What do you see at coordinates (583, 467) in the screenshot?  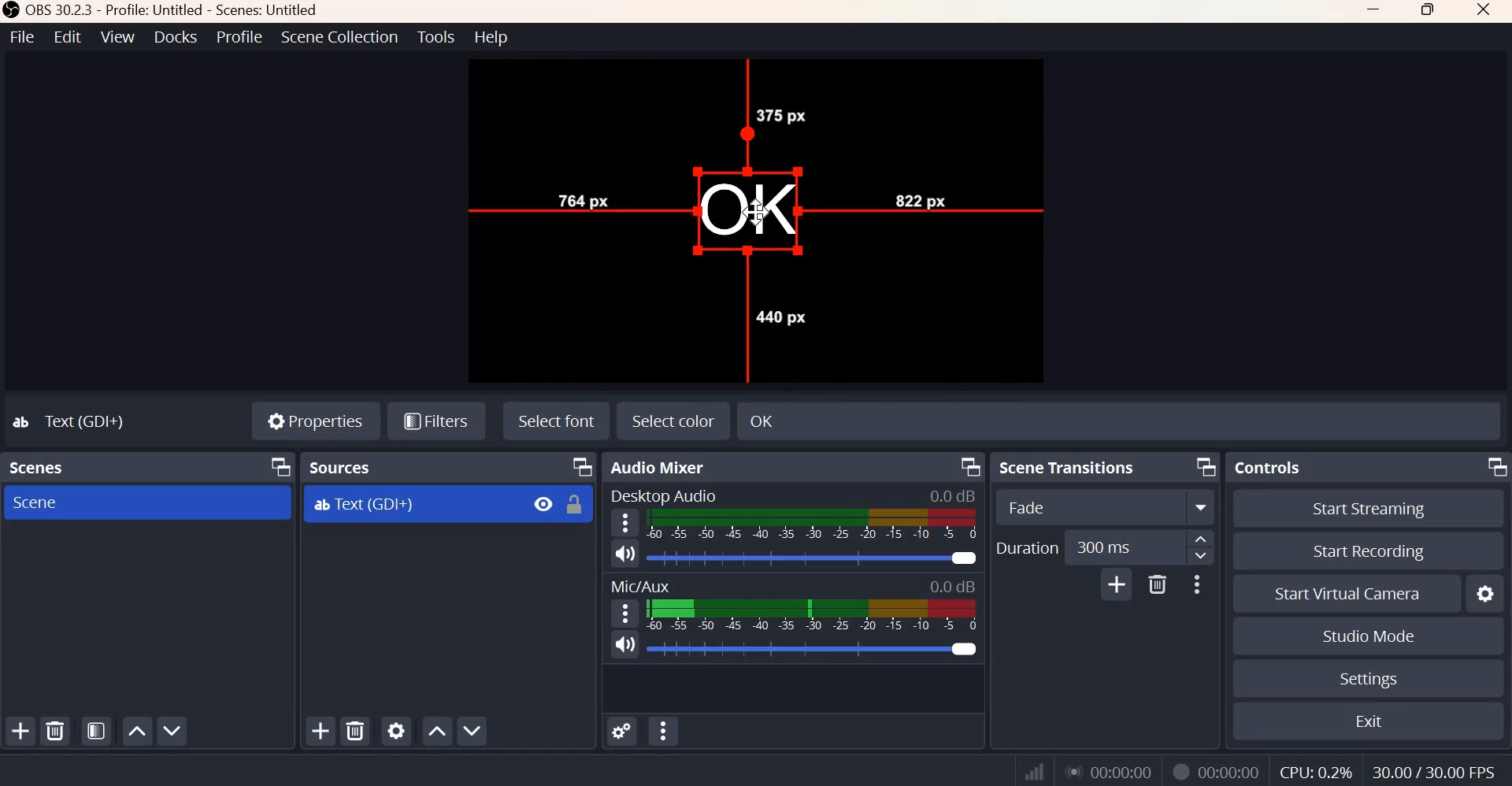 I see `Dock Options icon` at bounding box center [583, 467].